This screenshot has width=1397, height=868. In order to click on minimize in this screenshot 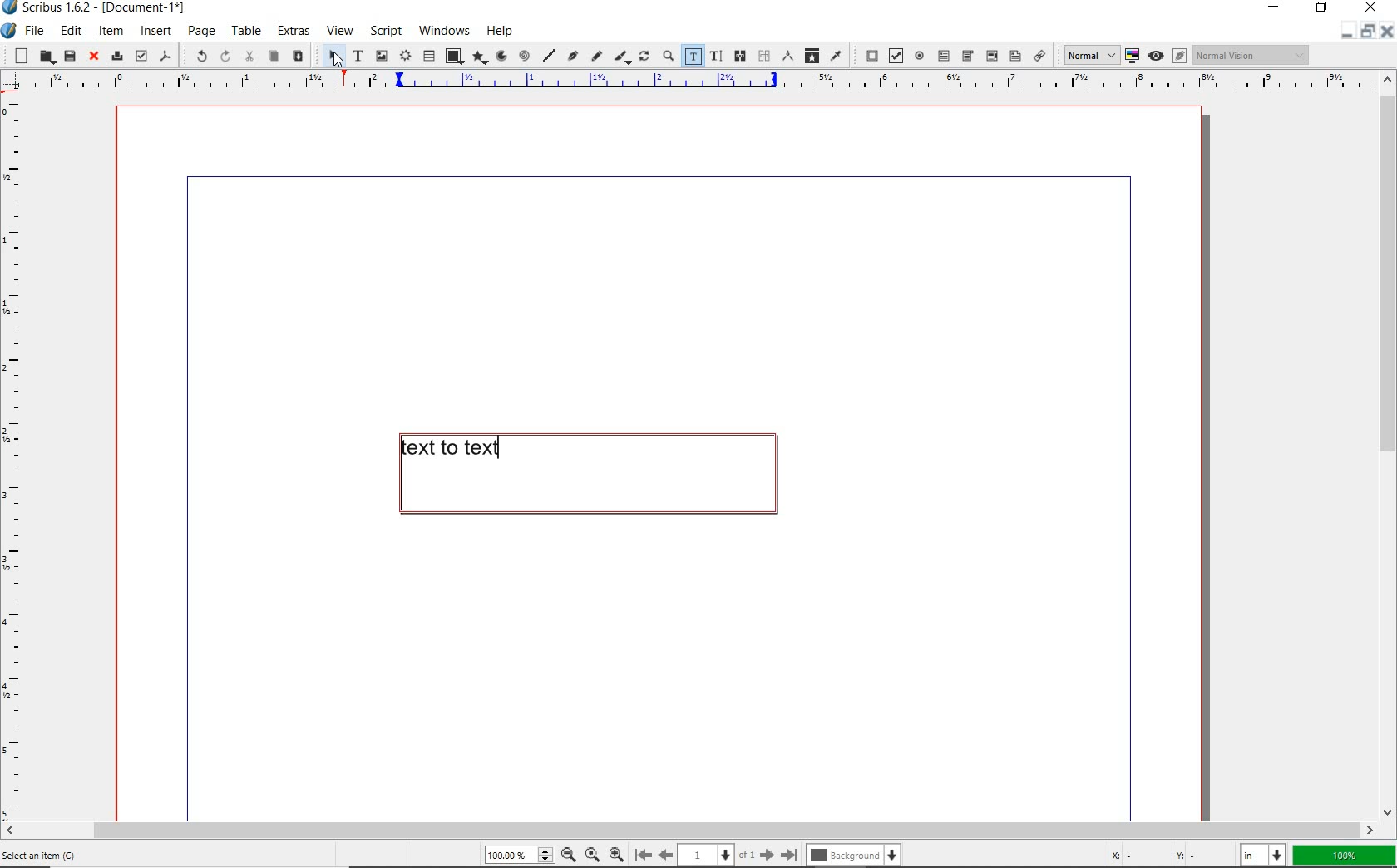, I will do `click(1277, 8)`.